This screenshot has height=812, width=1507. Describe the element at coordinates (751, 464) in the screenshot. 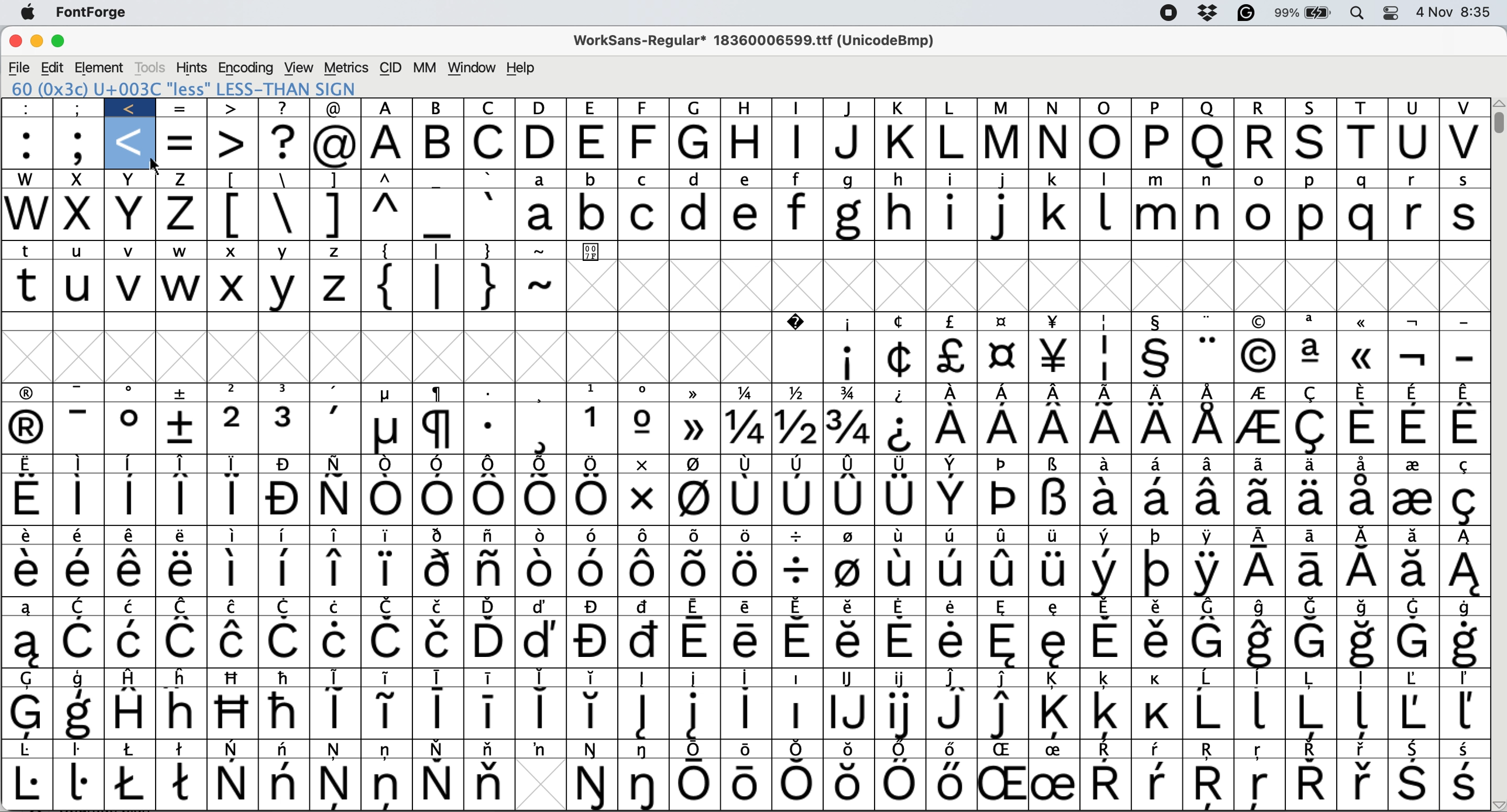

I see `Symbol` at that location.